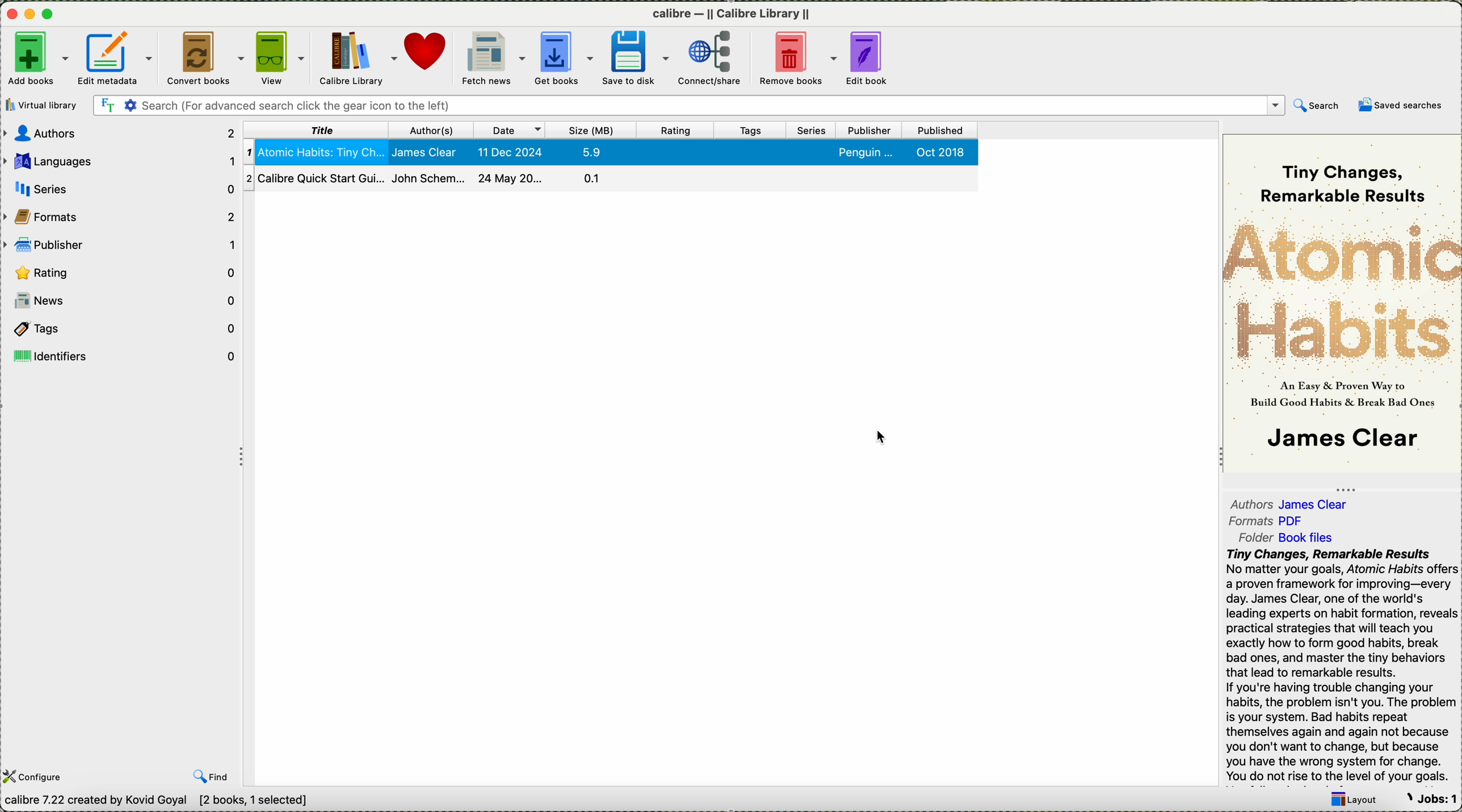  I want to click on first book selected, so click(612, 152).